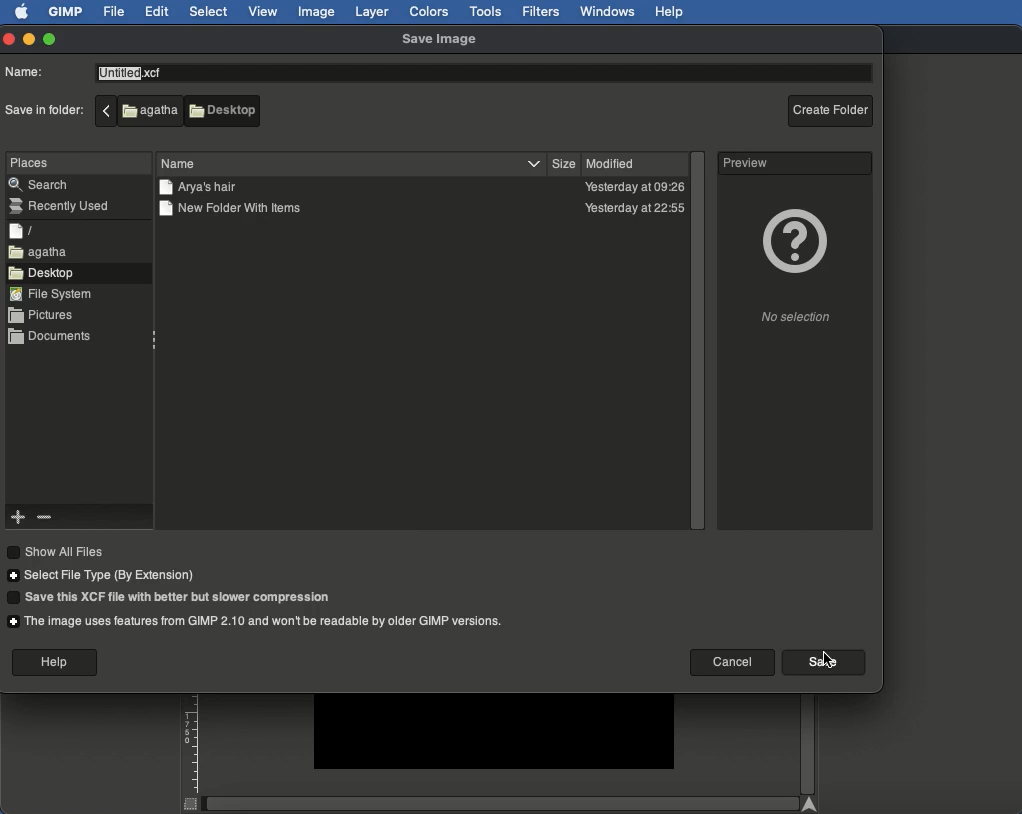 Image resolution: width=1022 pixels, height=814 pixels. What do you see at coordinates (43, 518) in the screenshot?
I see `Remove` at bounding box center [43, 518].